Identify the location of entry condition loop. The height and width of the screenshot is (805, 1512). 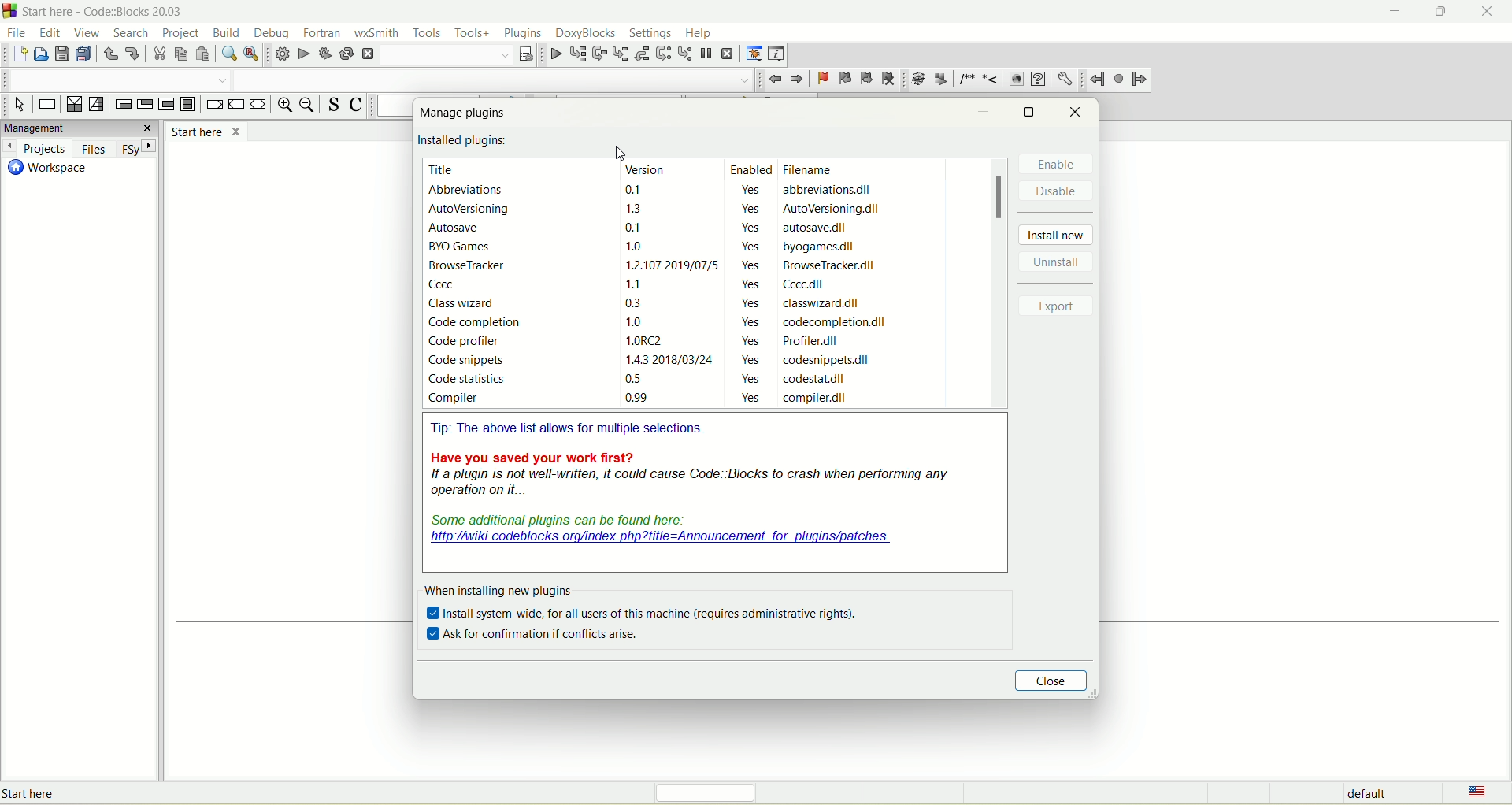
(121, 105).